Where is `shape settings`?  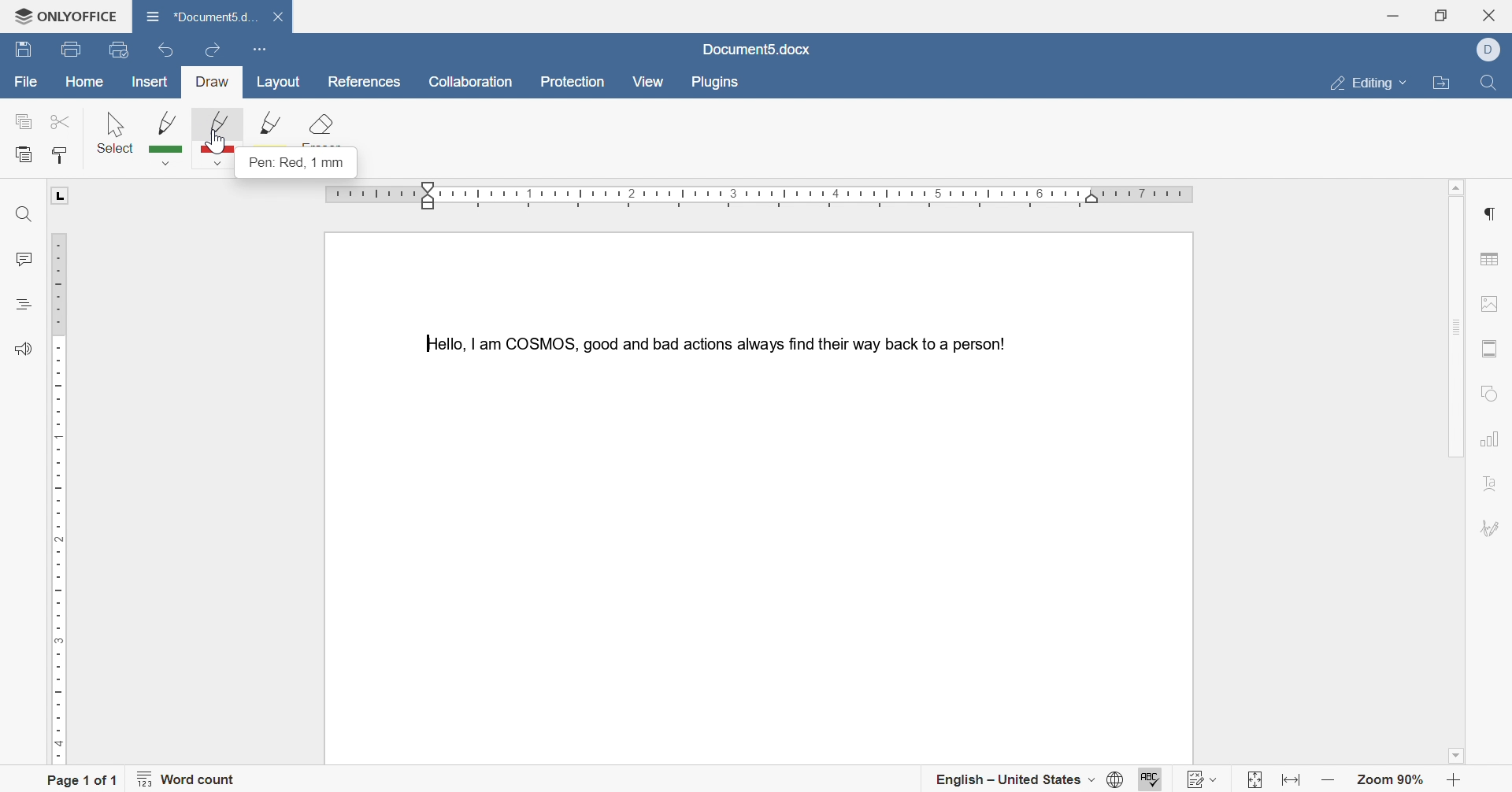
shape settings is located at coordinates (1491, 391).